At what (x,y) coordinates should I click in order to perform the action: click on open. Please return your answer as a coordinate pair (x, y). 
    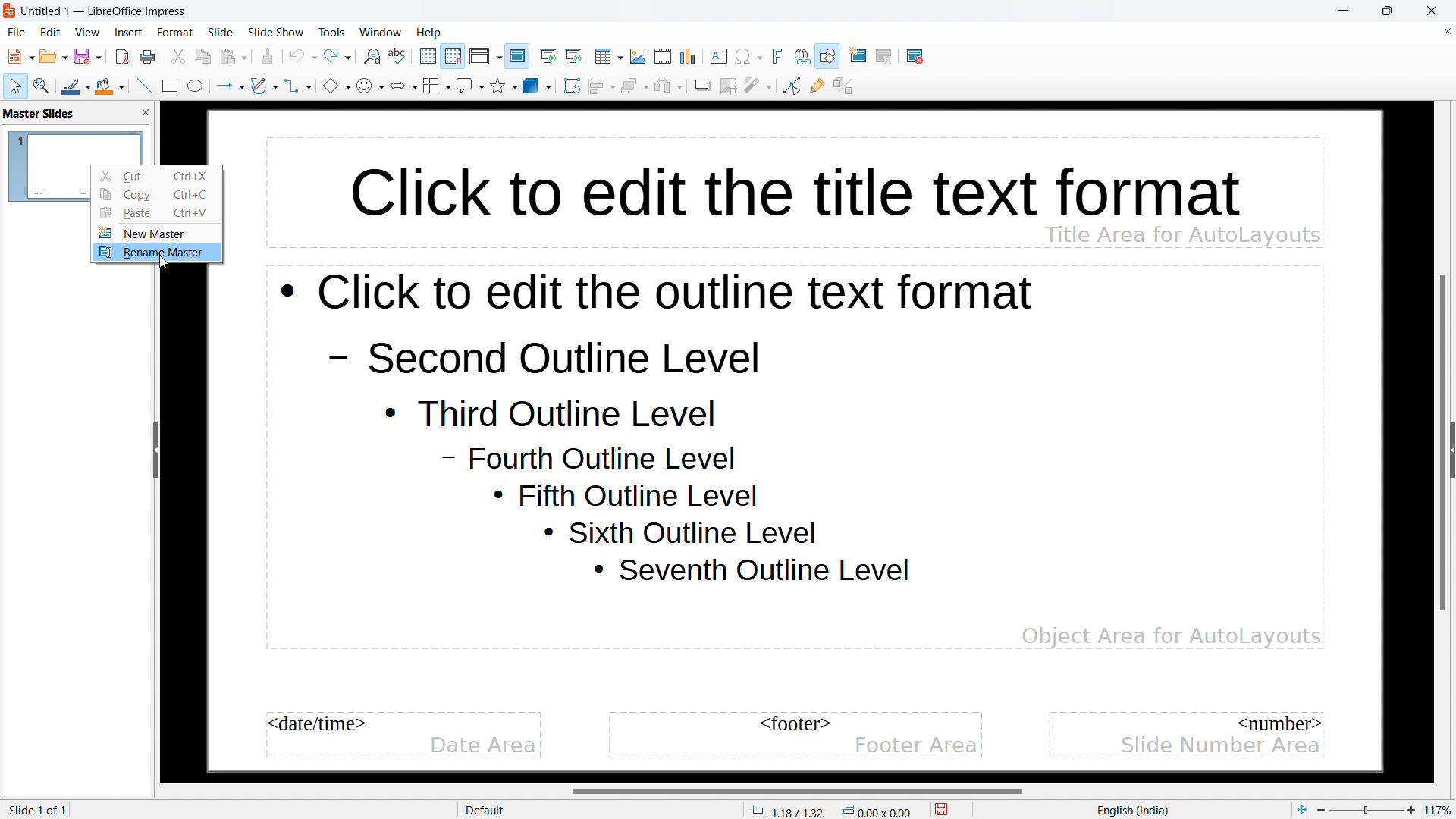
    Looking at the image, I should click on (54, 56).